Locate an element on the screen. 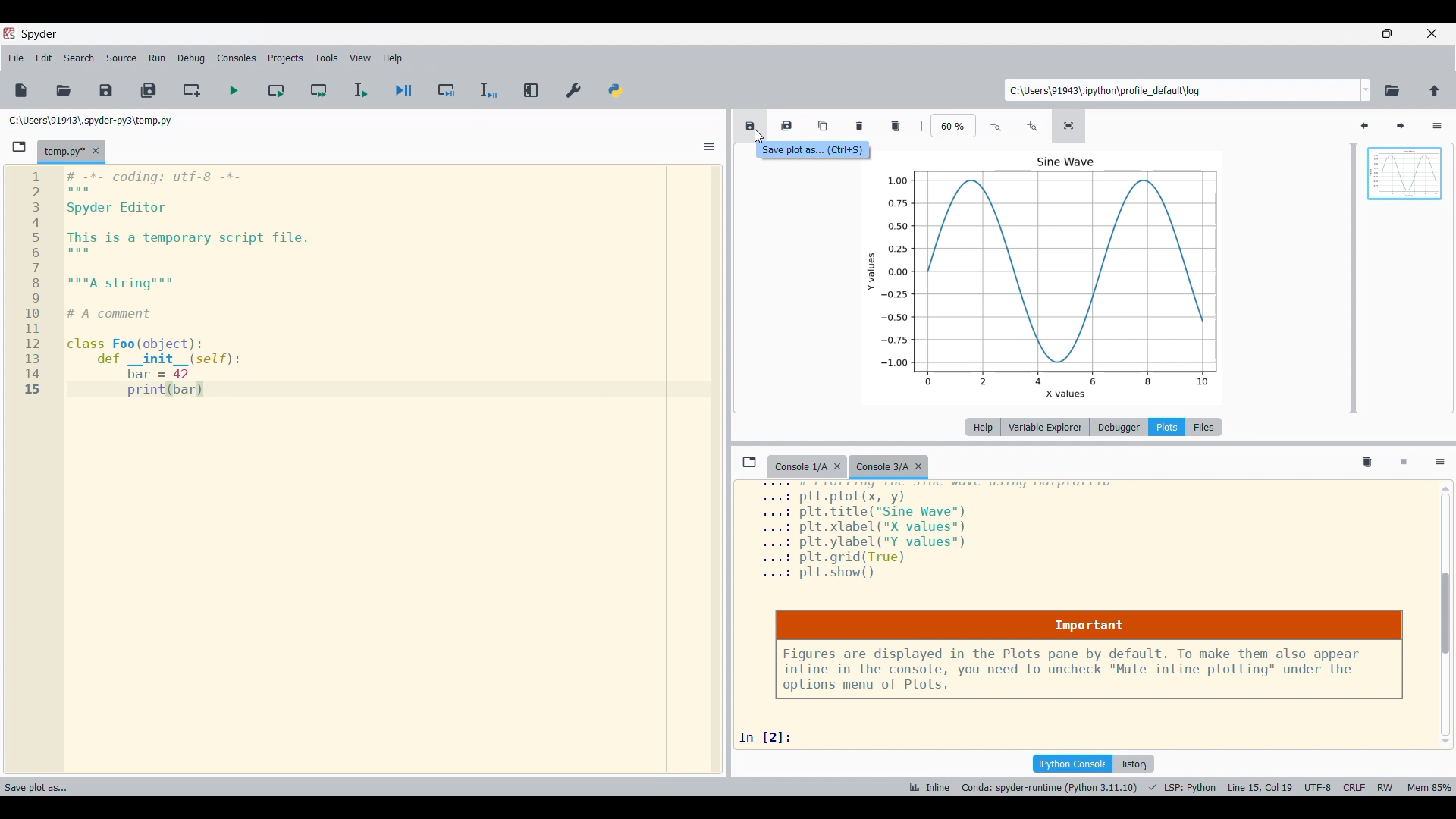 The width and height of the screenshot is (1456, 819). Zoom out is located at coordinates (997, 127).